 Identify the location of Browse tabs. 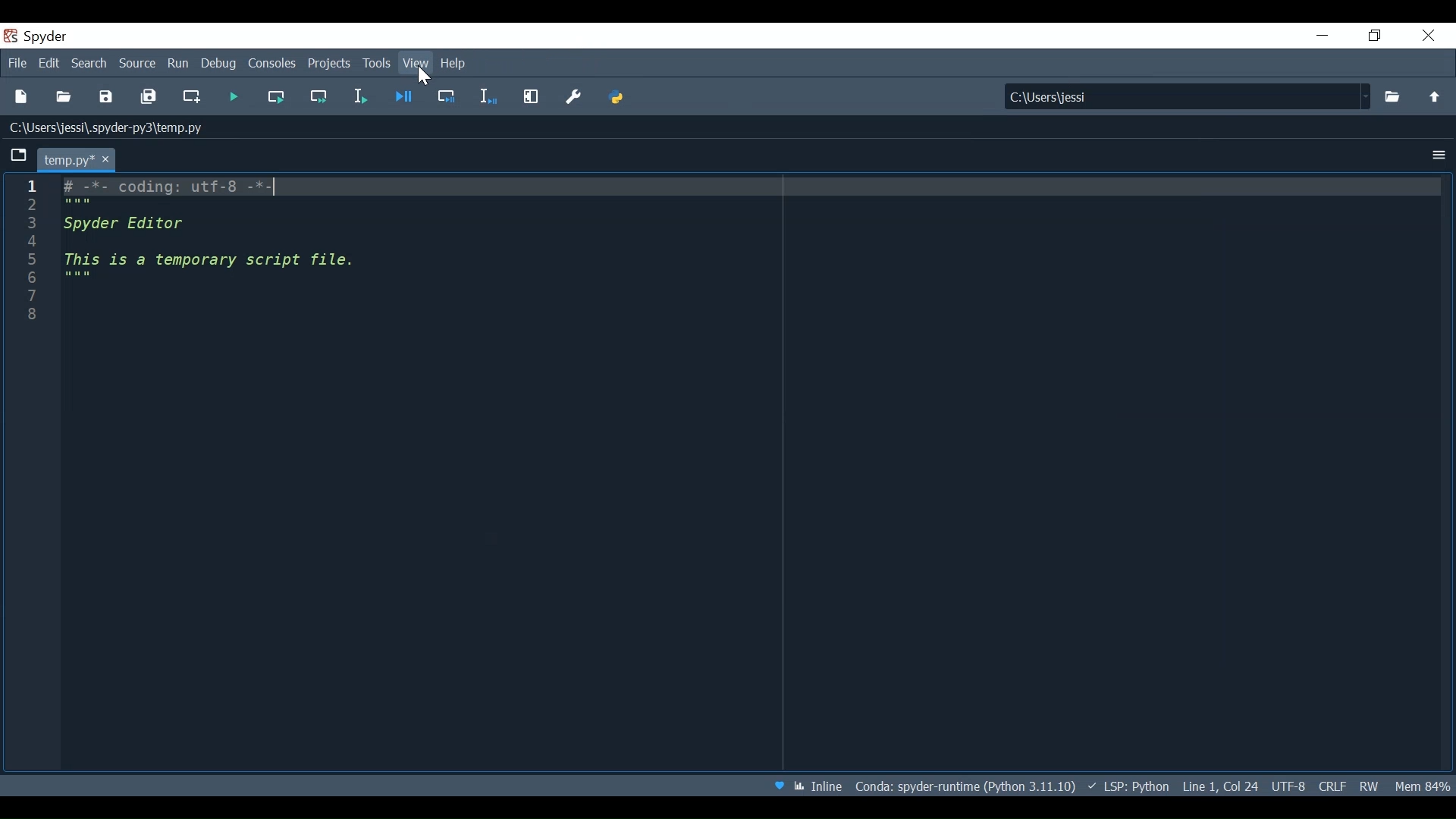
(20, 156).